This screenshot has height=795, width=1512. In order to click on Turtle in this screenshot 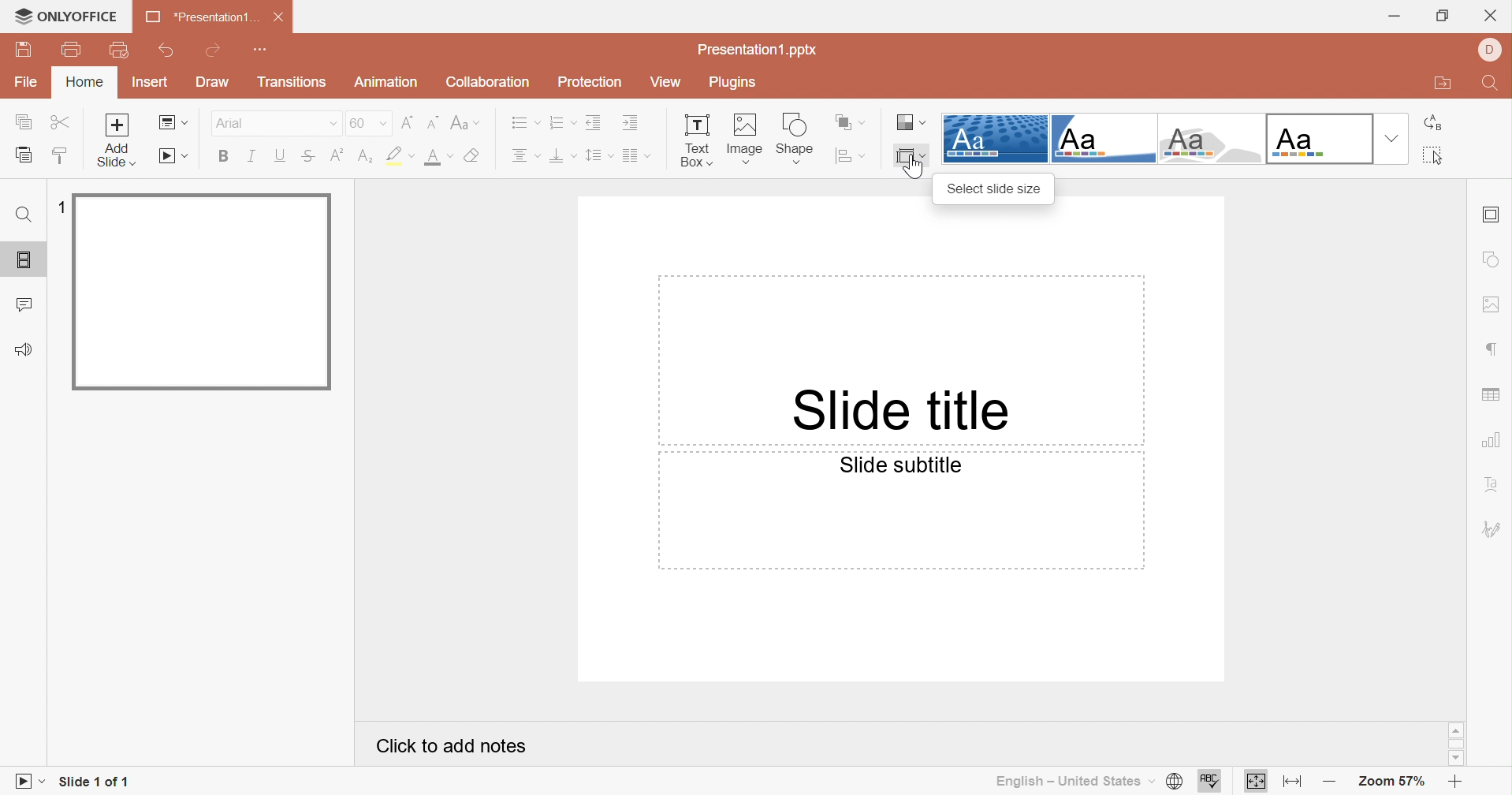, I will do `click(1206, 139)`.